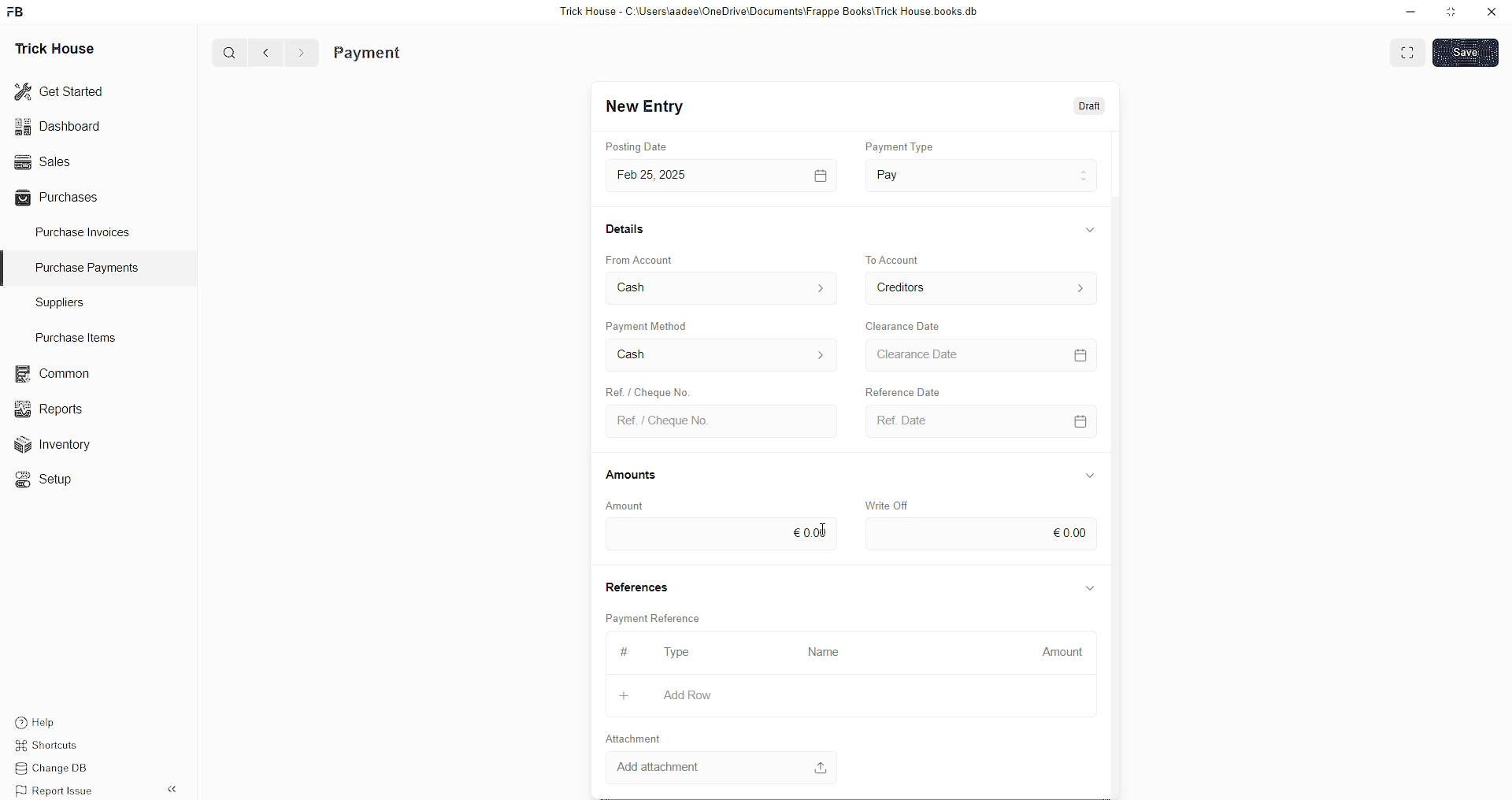 The image size is (1512, 800). What do you see at coordinates (630, 504) in the screenshot?
I see `Amount` at bounding box center [630, 504].